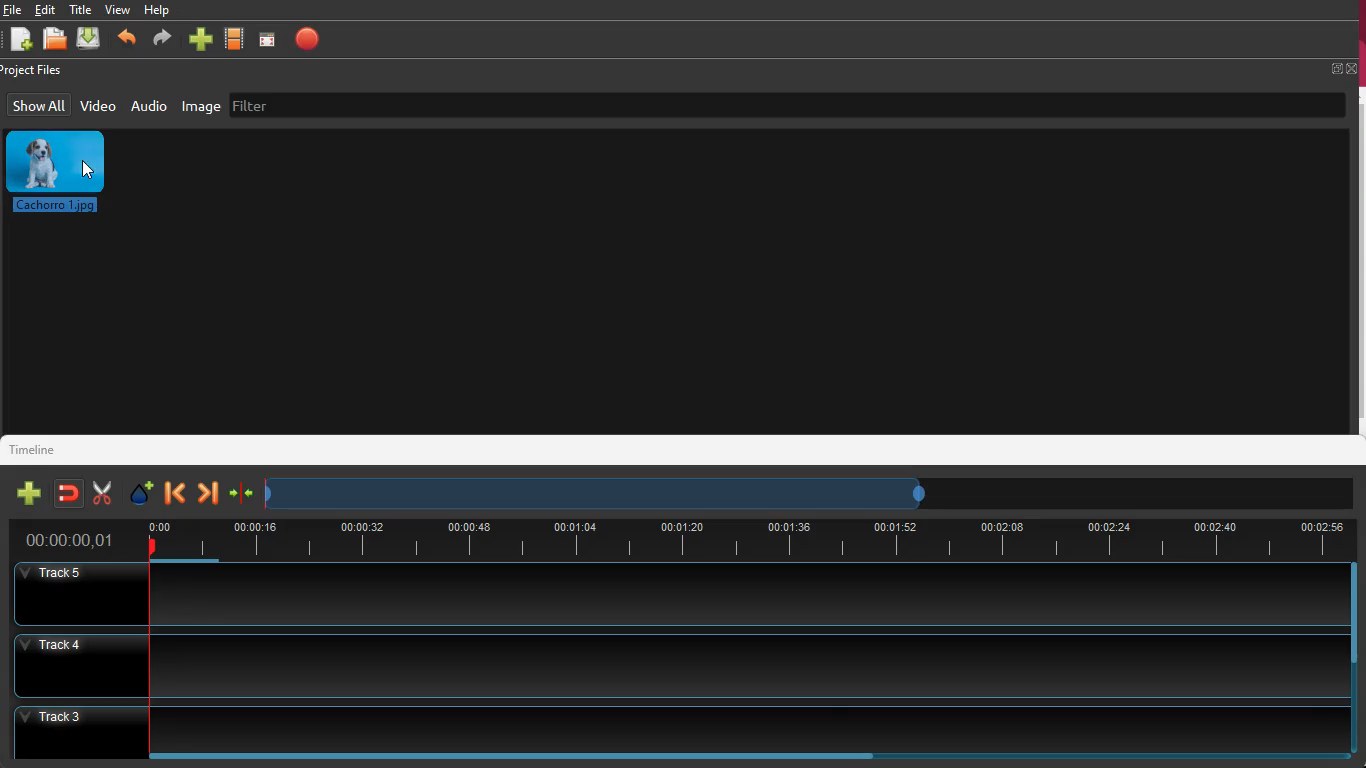 The image size is (1366, 768). I want to click on join, so click(70, 493).